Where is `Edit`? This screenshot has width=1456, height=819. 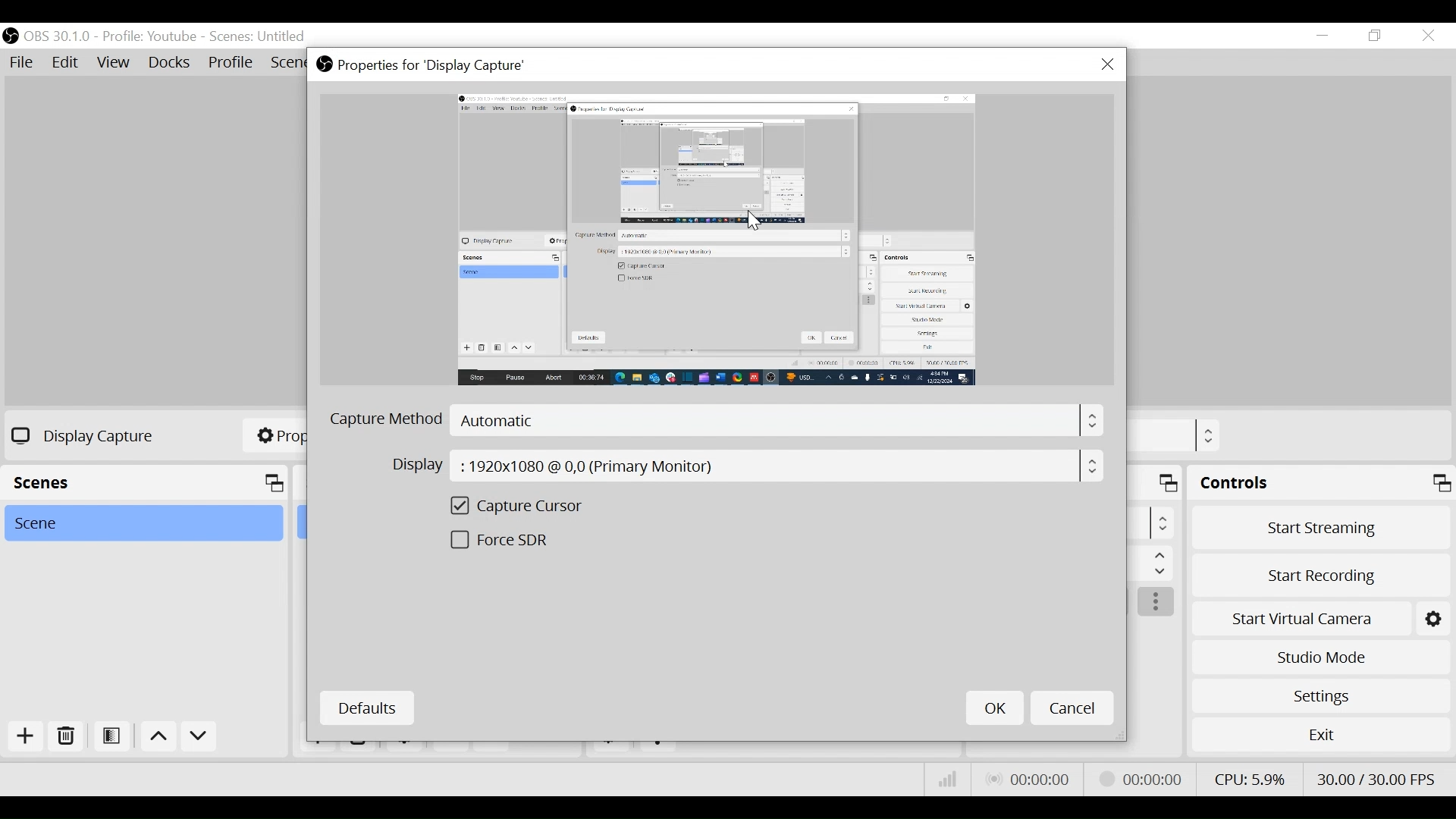 Edit is located at coordinates (66, 62).